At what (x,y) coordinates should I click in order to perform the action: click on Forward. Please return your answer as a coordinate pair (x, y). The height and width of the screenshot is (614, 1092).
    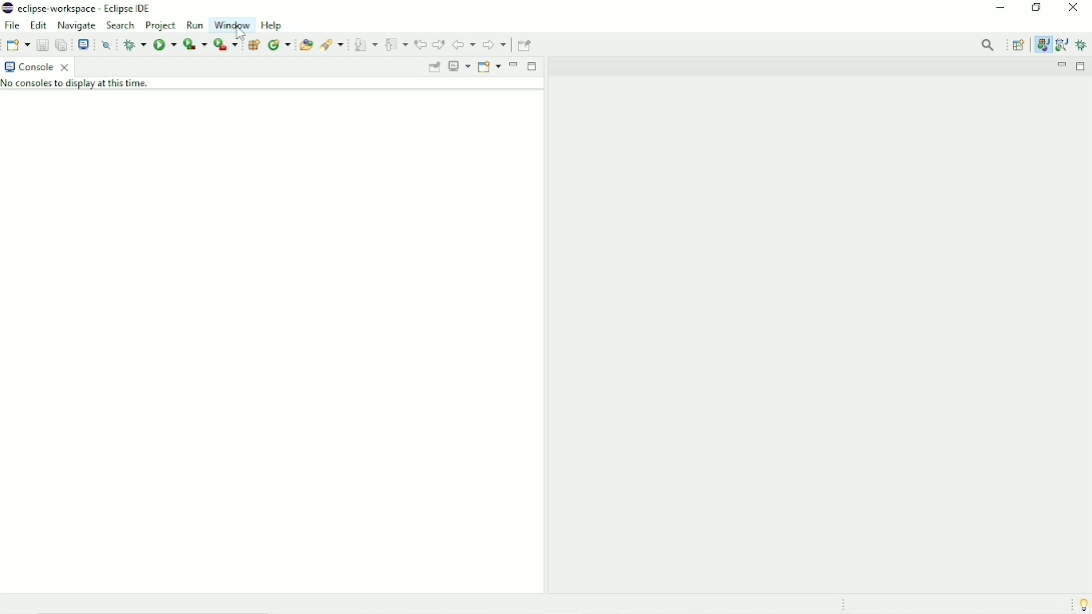
    Looking at the image, I should click on (495, 46).